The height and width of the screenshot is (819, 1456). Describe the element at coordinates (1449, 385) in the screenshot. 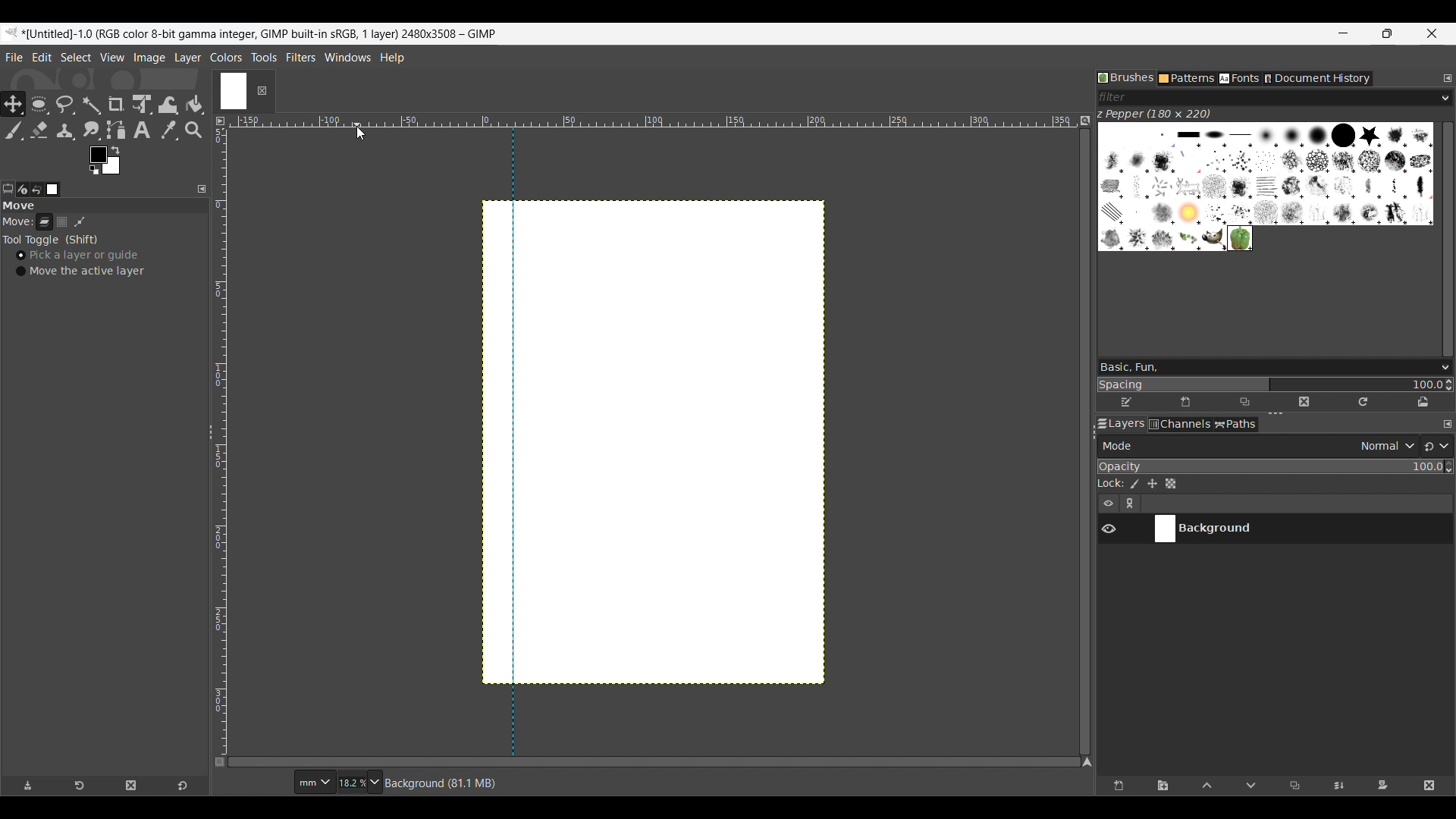

I see `Increase/Decrease spacing` at that location.